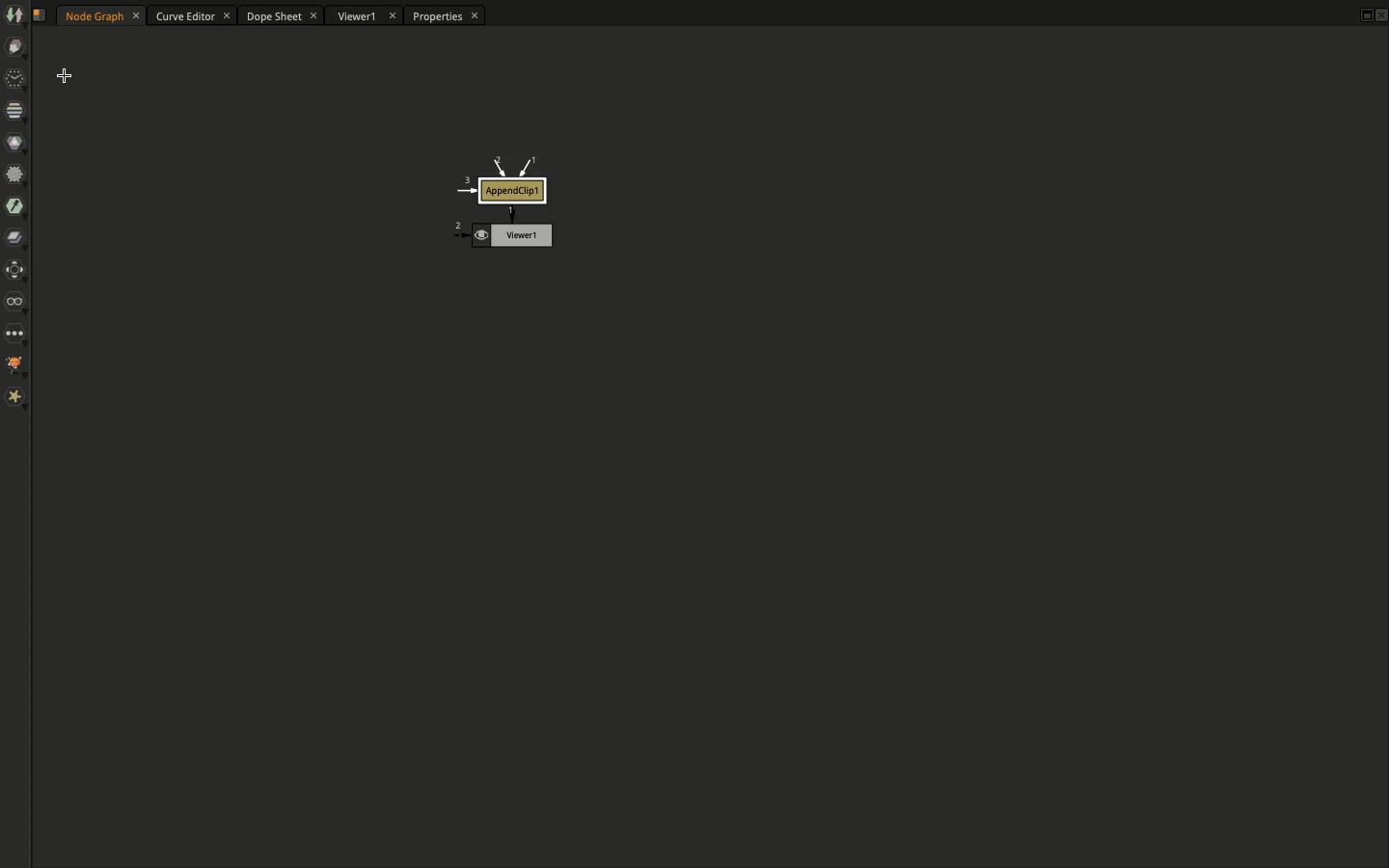 This screenshot has height=868, width=1389. What do you see at coordinates (19, 304) in the screenshot?
I see `Views` at bounding box center [19, 304].